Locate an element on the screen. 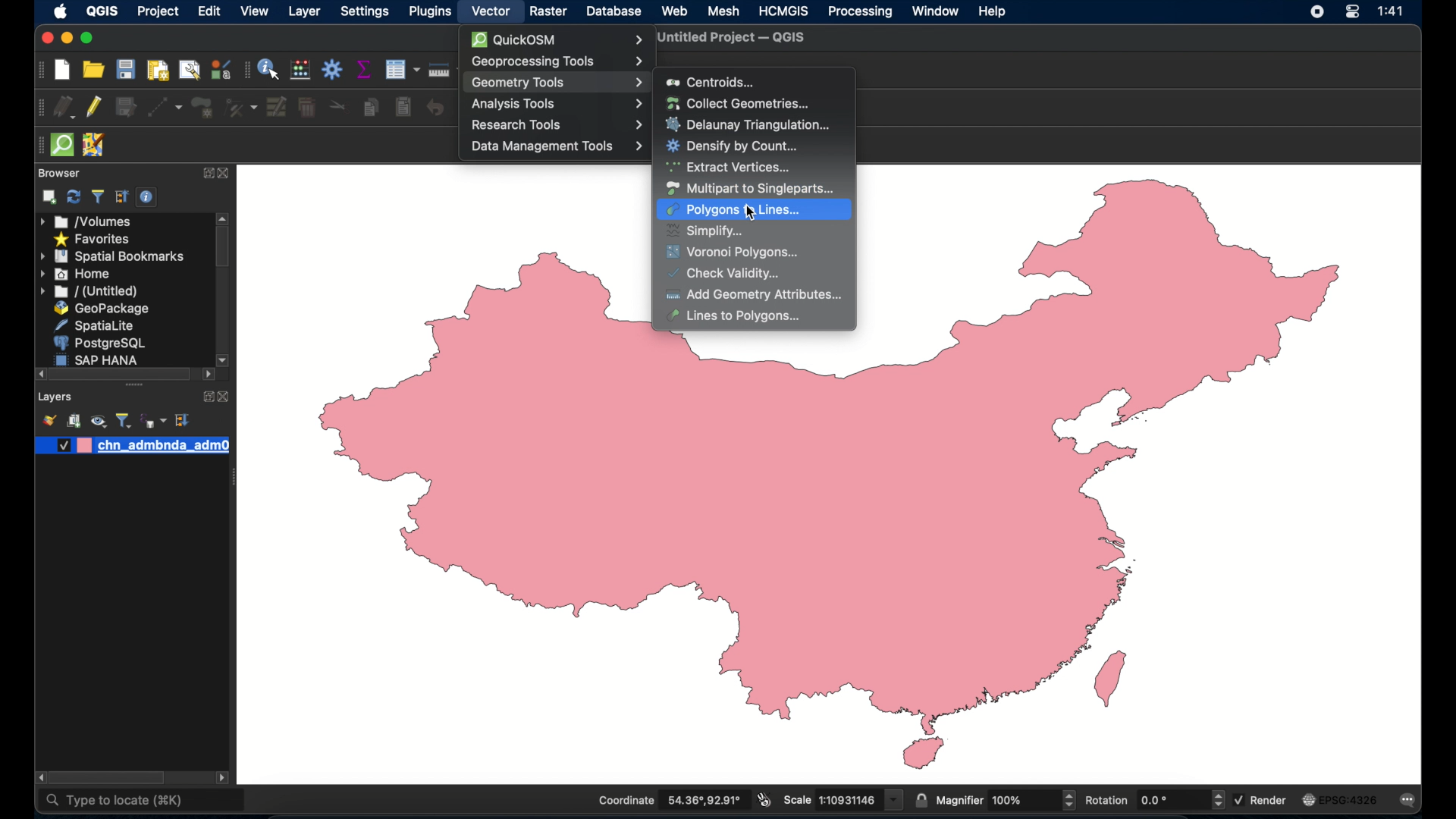 The image size is (1456, 819). scroll down arrow is located at coordinates (224, 359).